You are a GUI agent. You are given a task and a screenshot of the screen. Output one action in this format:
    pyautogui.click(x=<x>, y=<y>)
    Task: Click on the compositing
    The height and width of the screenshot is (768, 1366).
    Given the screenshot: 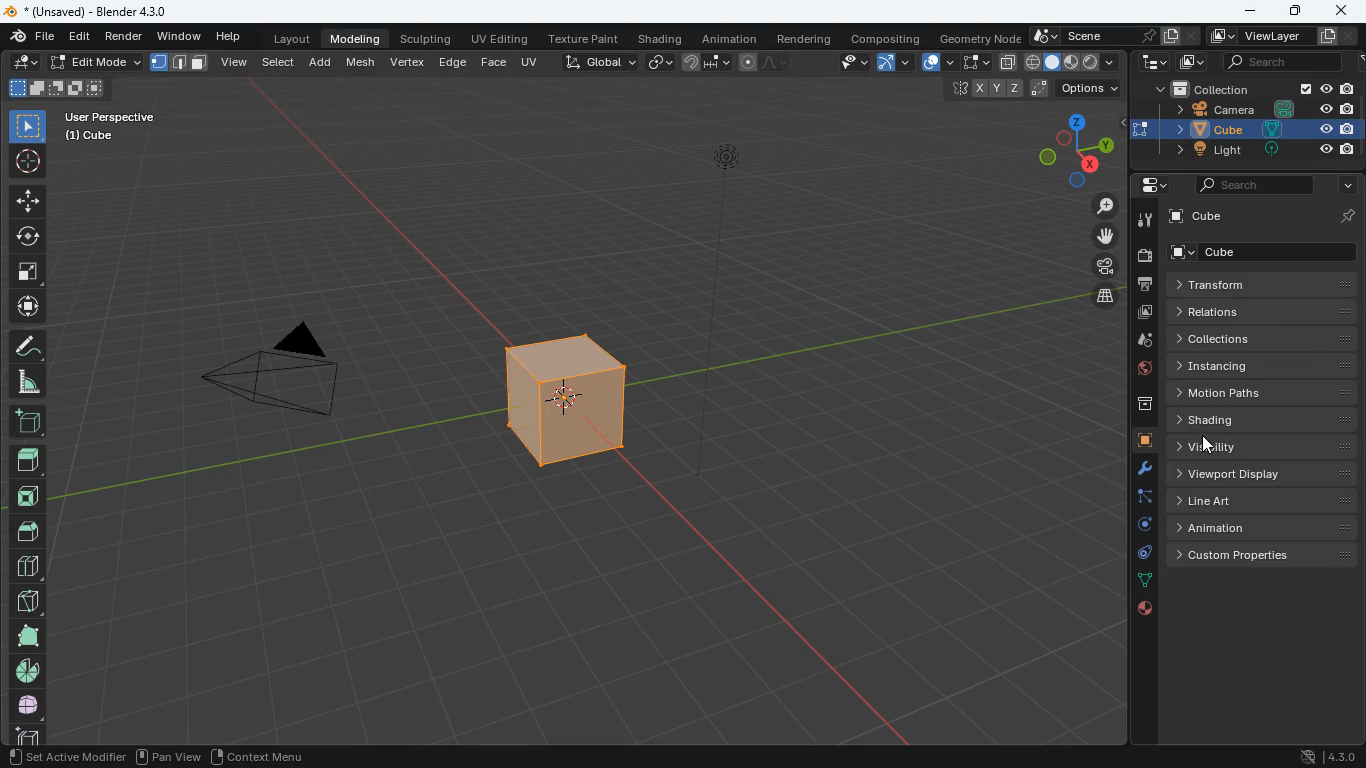 What is the action you would take?
    pyautogui.click(x=884, y=38)
    